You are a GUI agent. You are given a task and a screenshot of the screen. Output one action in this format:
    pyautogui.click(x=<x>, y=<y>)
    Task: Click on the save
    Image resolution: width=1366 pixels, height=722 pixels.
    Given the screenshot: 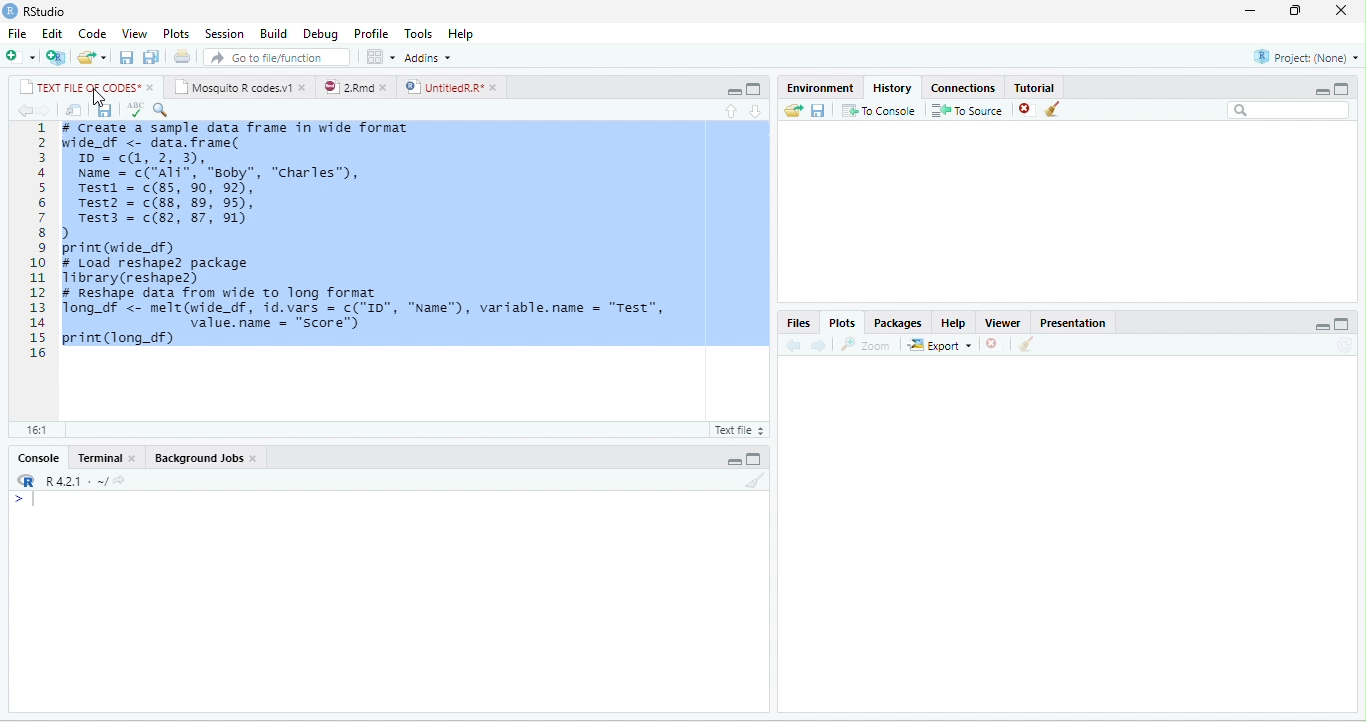 What is the action you would take?
    pyautogui.click(x=105, y=110)
    